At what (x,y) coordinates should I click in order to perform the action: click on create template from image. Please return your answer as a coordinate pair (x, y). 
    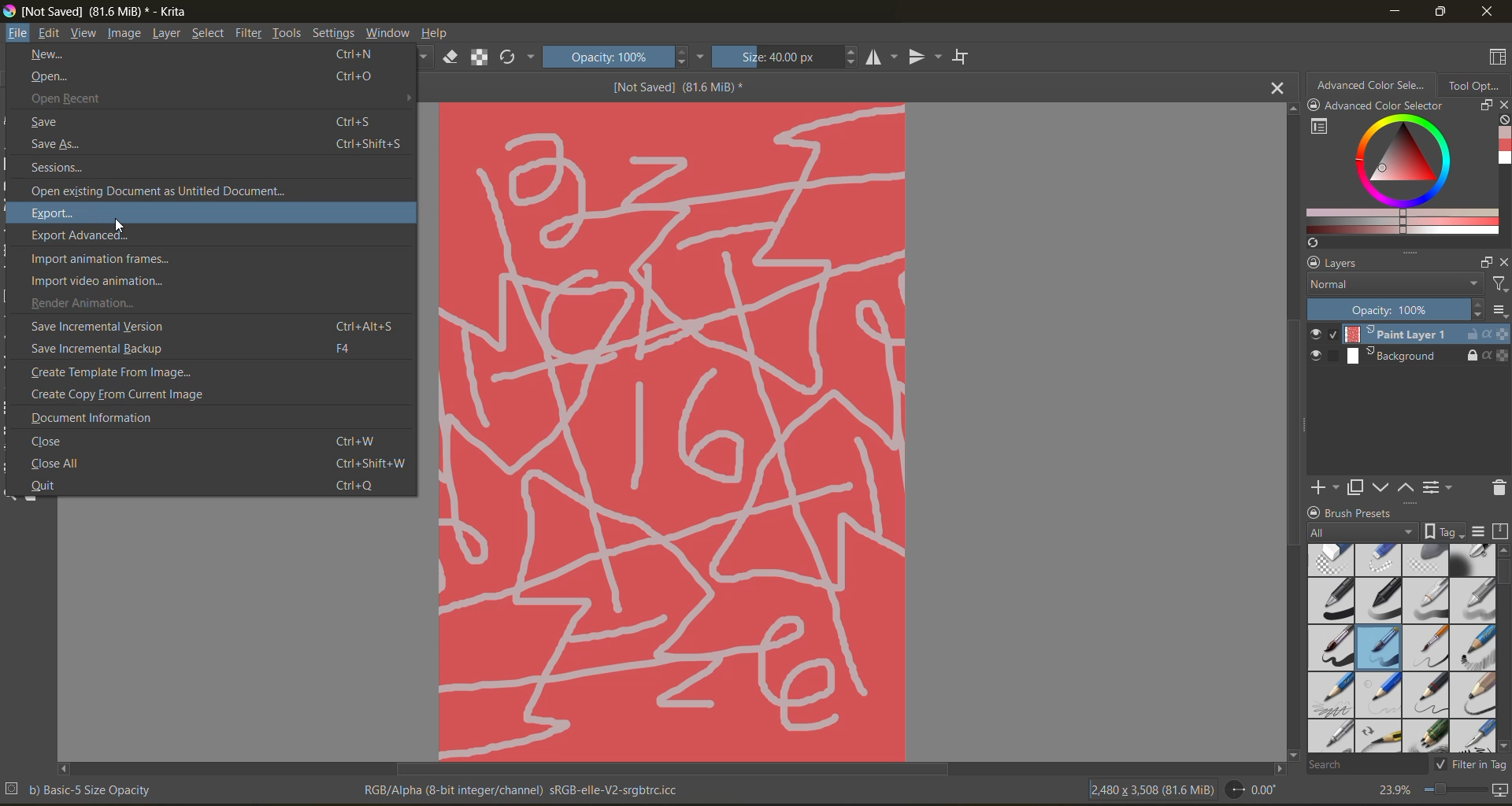
    Looking at the image, I should click on (133, 373).